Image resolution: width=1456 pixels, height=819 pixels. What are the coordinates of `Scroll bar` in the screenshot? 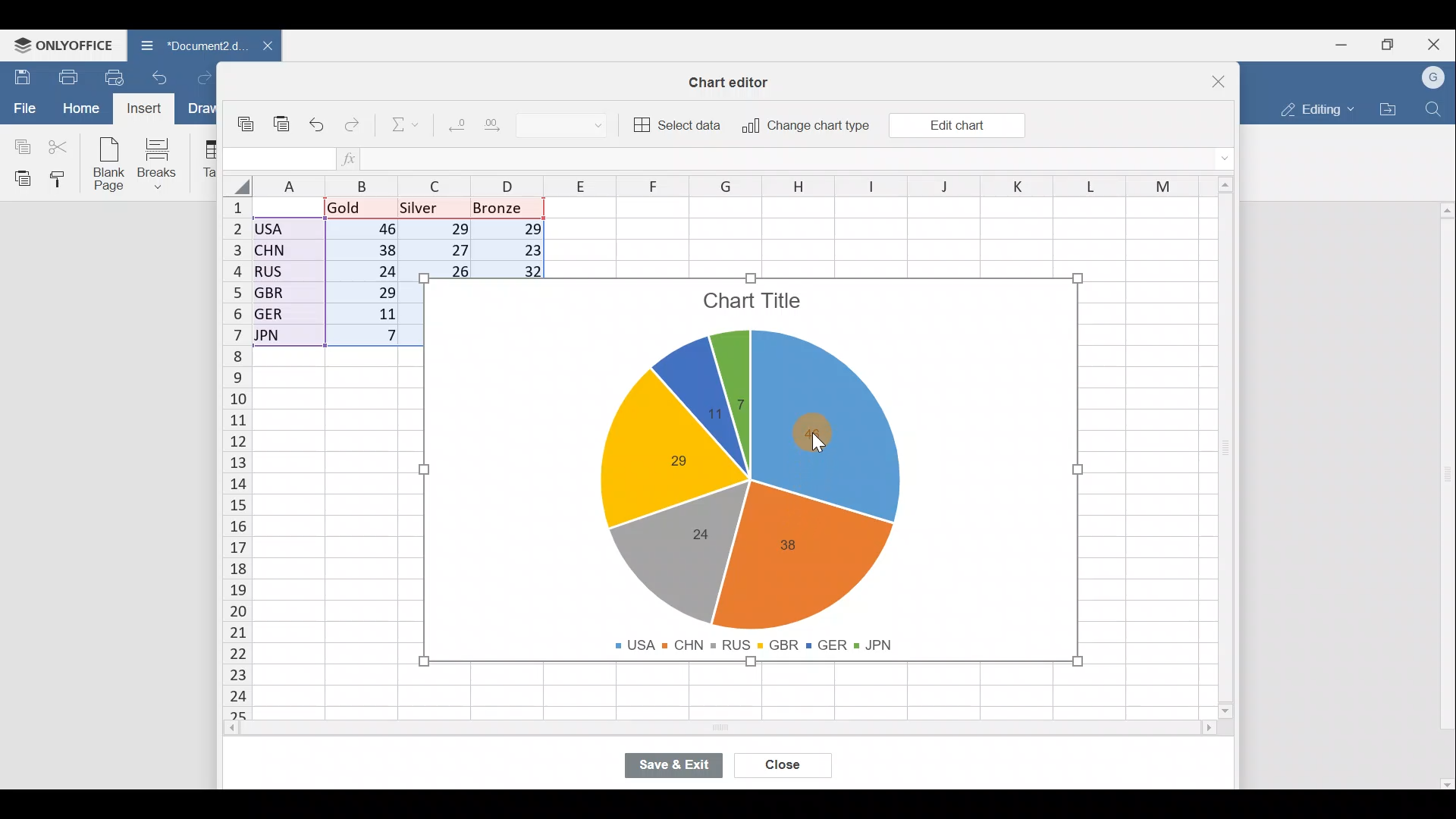 It's located at (742, 729).